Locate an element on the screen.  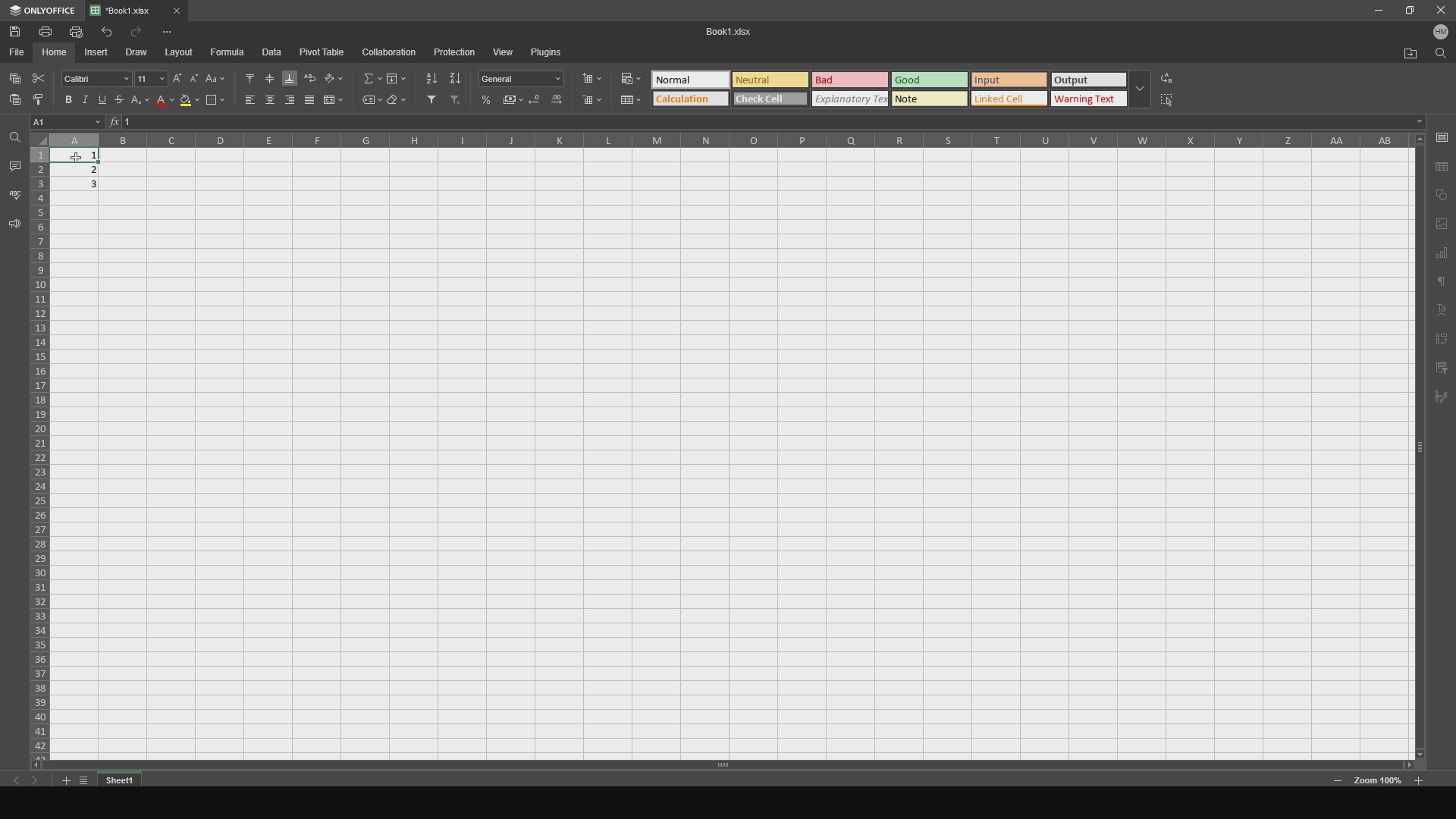
increment font size is located at coordinates (176, 77).